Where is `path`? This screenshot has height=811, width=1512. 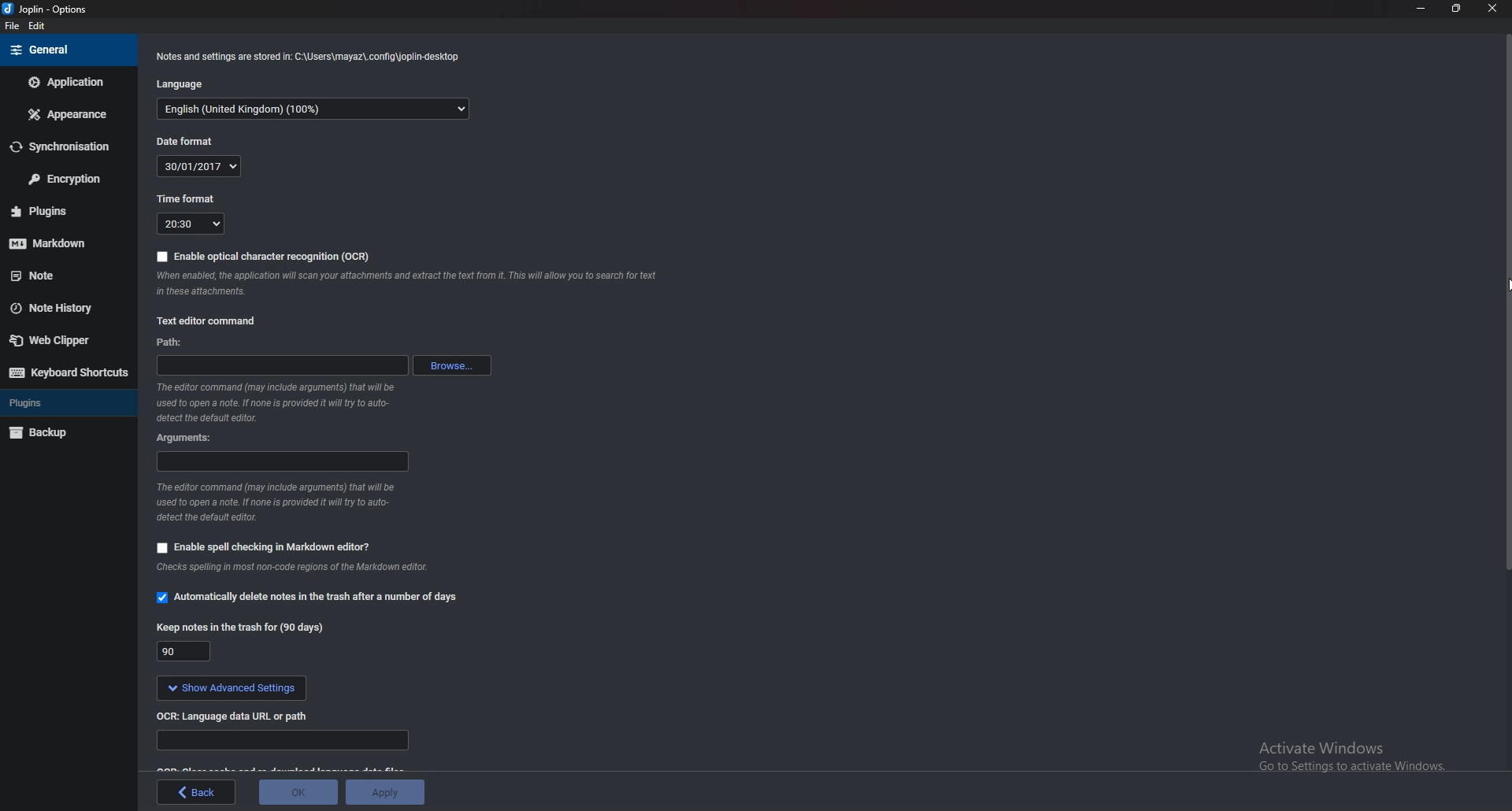
path is located at coordinates (281, 364).